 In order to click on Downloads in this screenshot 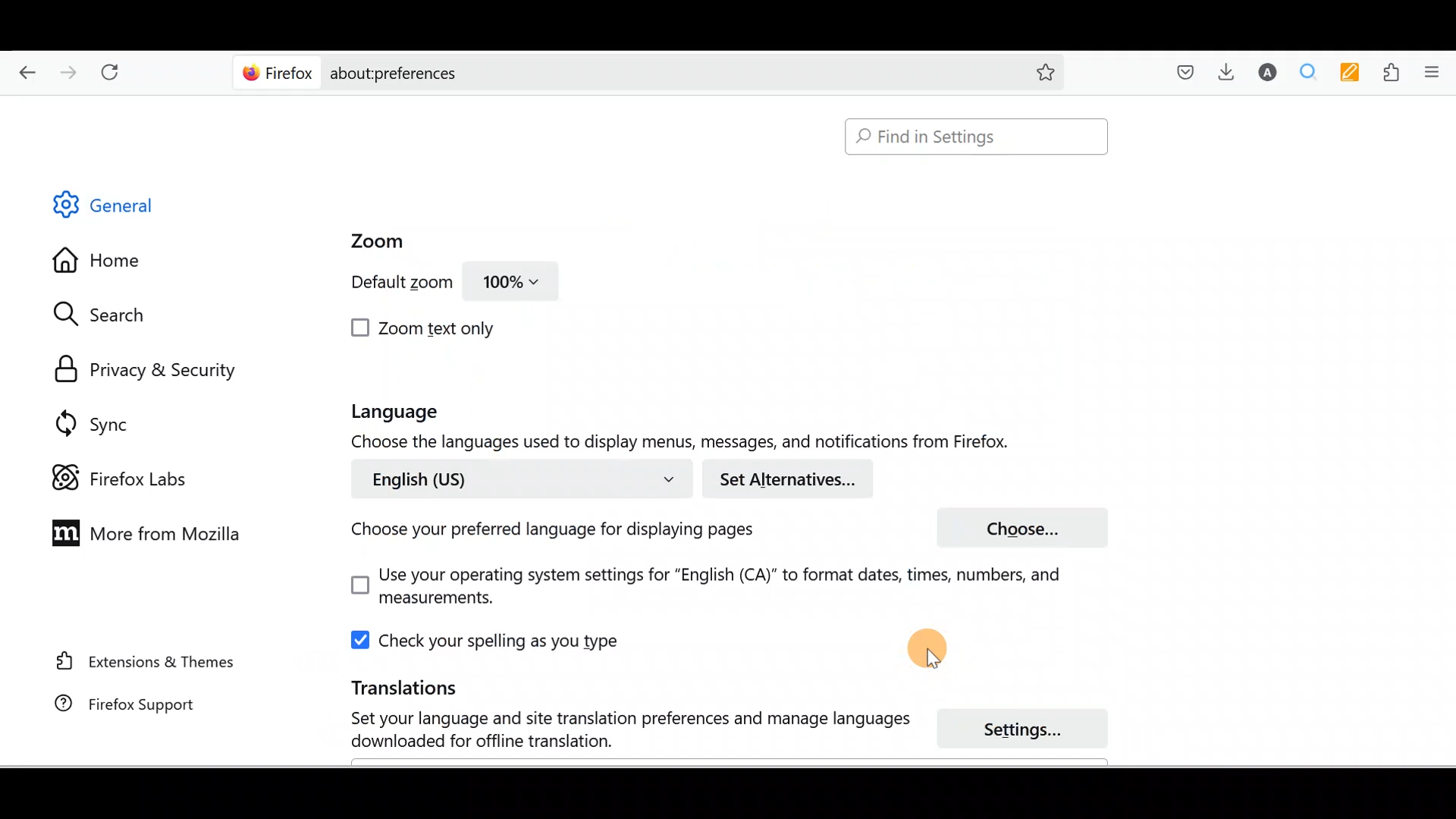, I will do `click(1222, 71)`.